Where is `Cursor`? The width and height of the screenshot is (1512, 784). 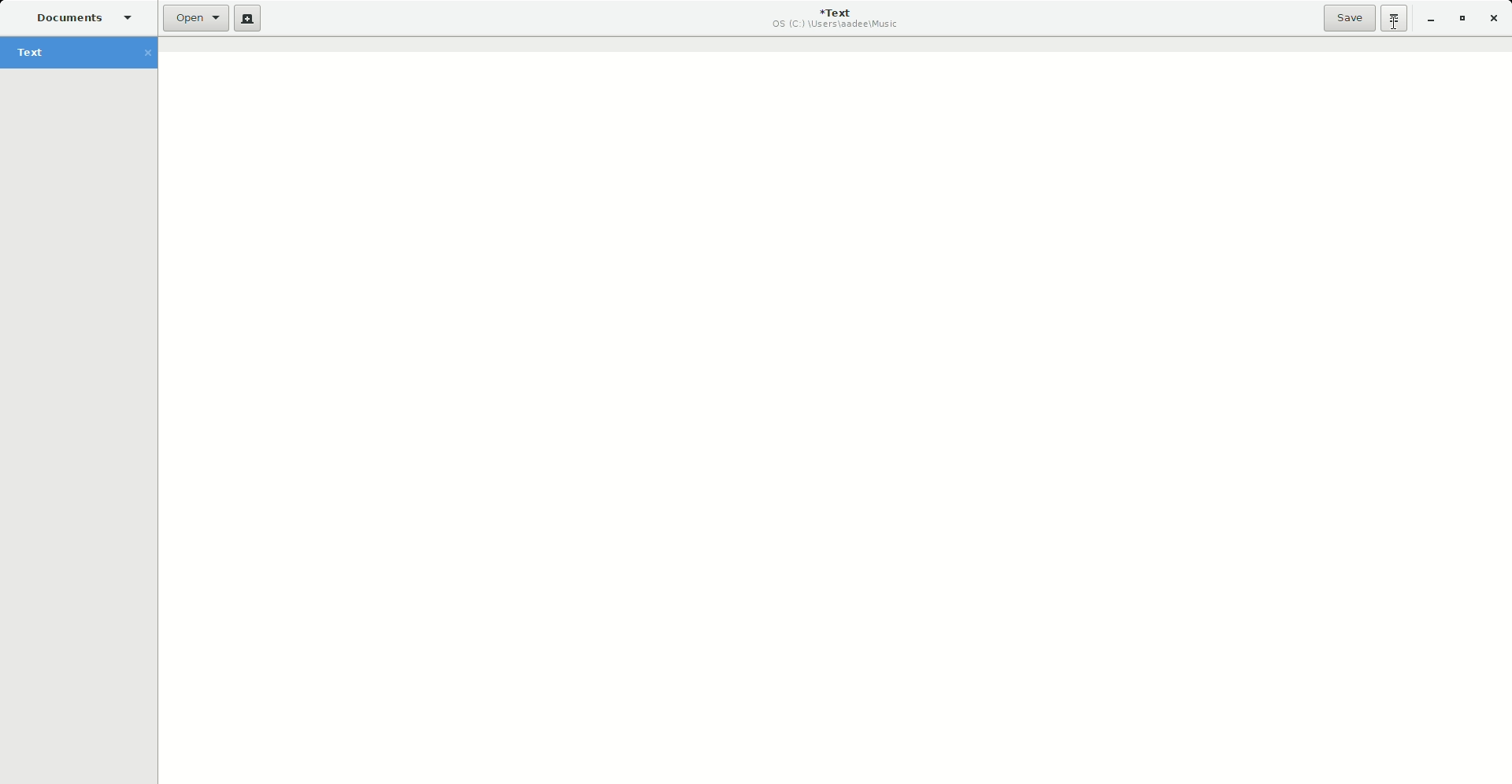 Cursor is located at coordinates (1395, 26).